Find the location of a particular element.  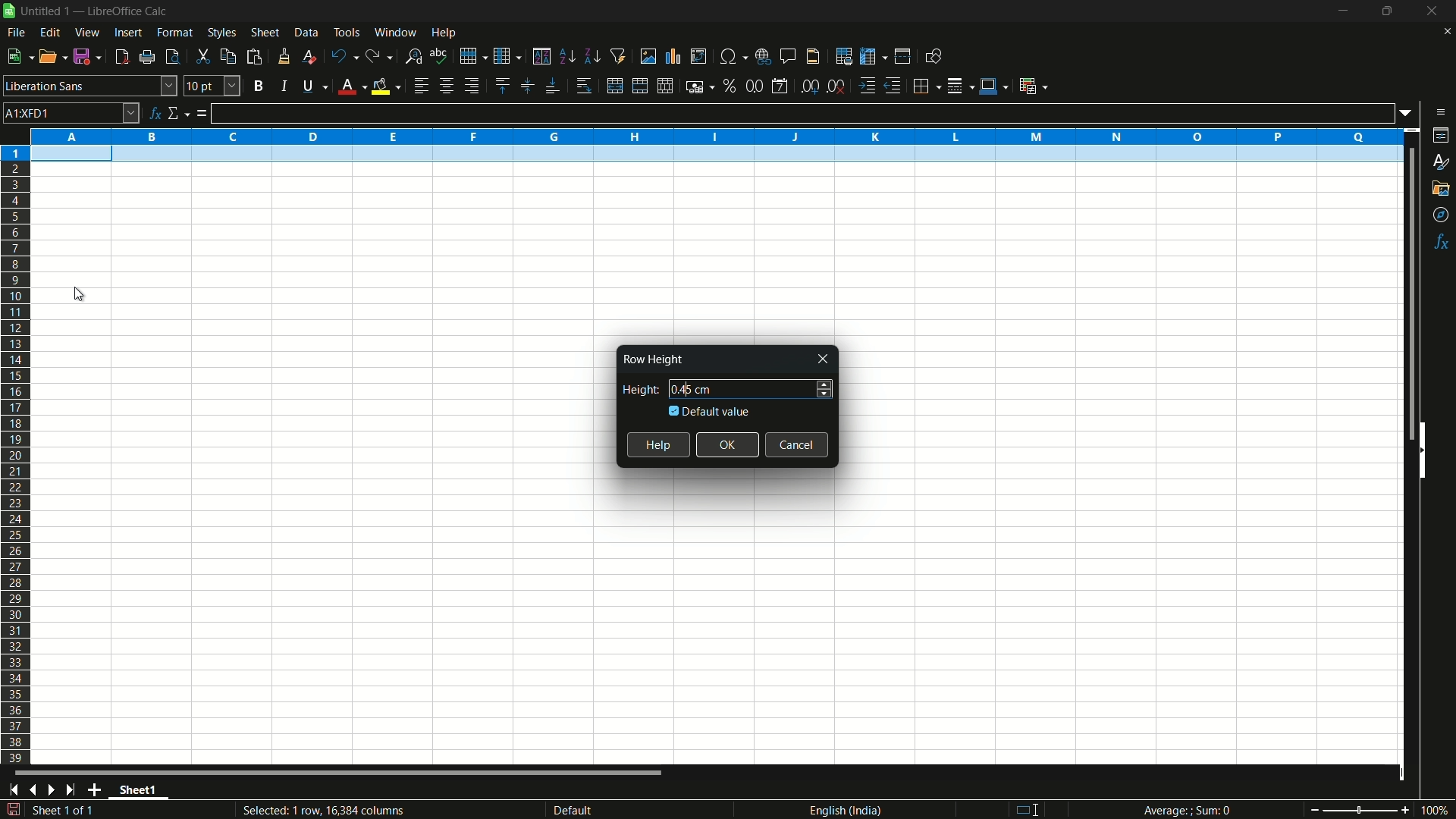

maximize or restore is located at coordinates (1387, 11).